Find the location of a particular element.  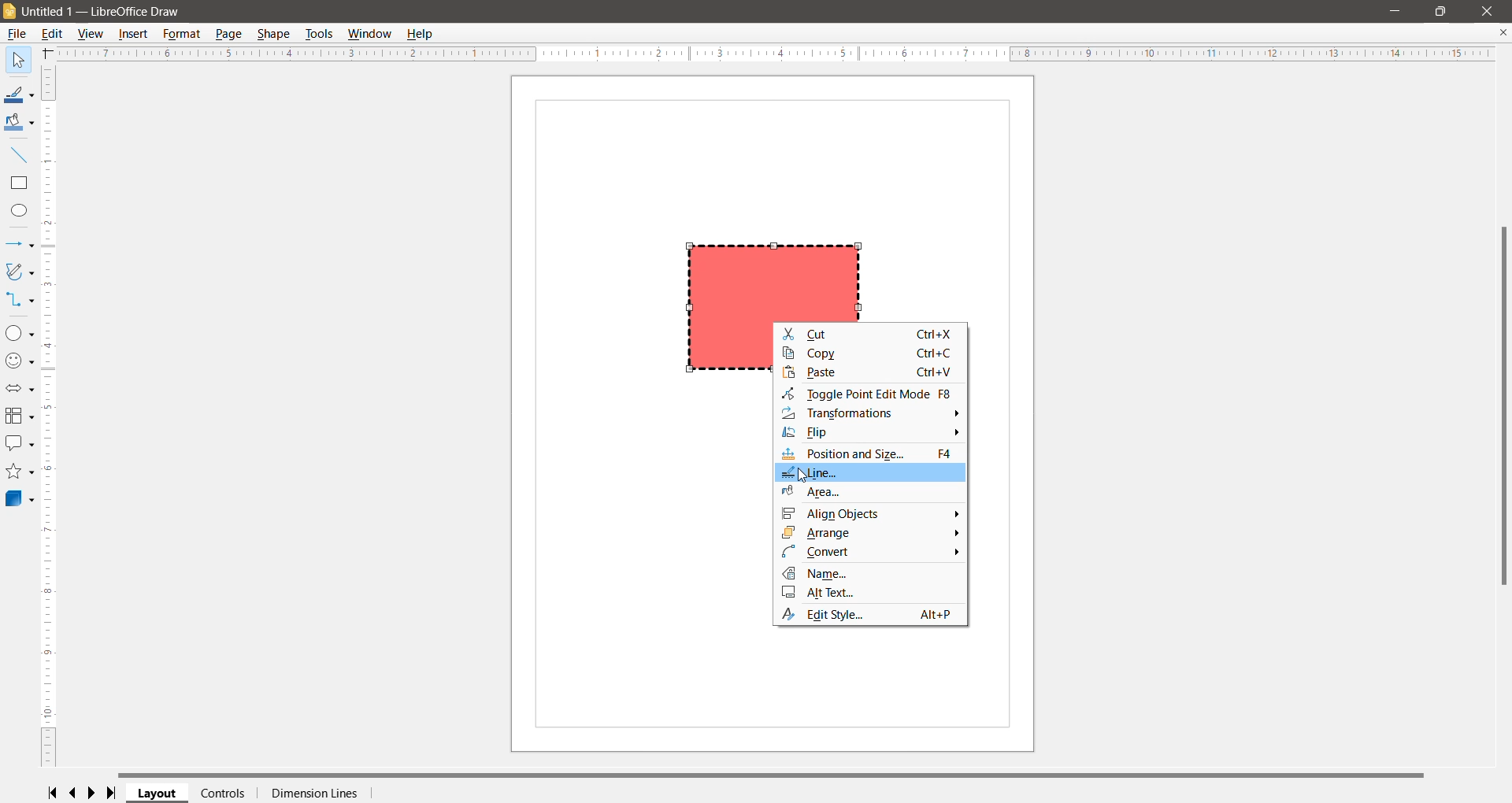

Area is located at coordinates (828, 493).